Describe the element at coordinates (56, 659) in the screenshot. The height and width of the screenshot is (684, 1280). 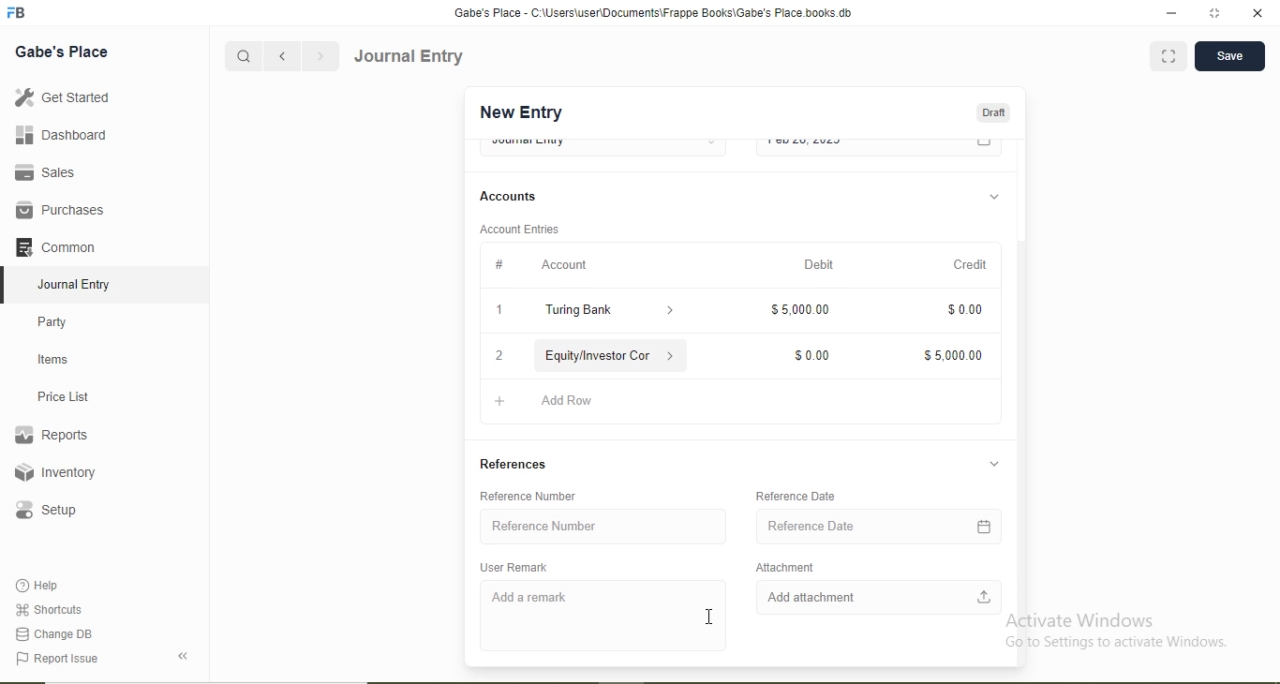
I see `Report Issue` at that location.